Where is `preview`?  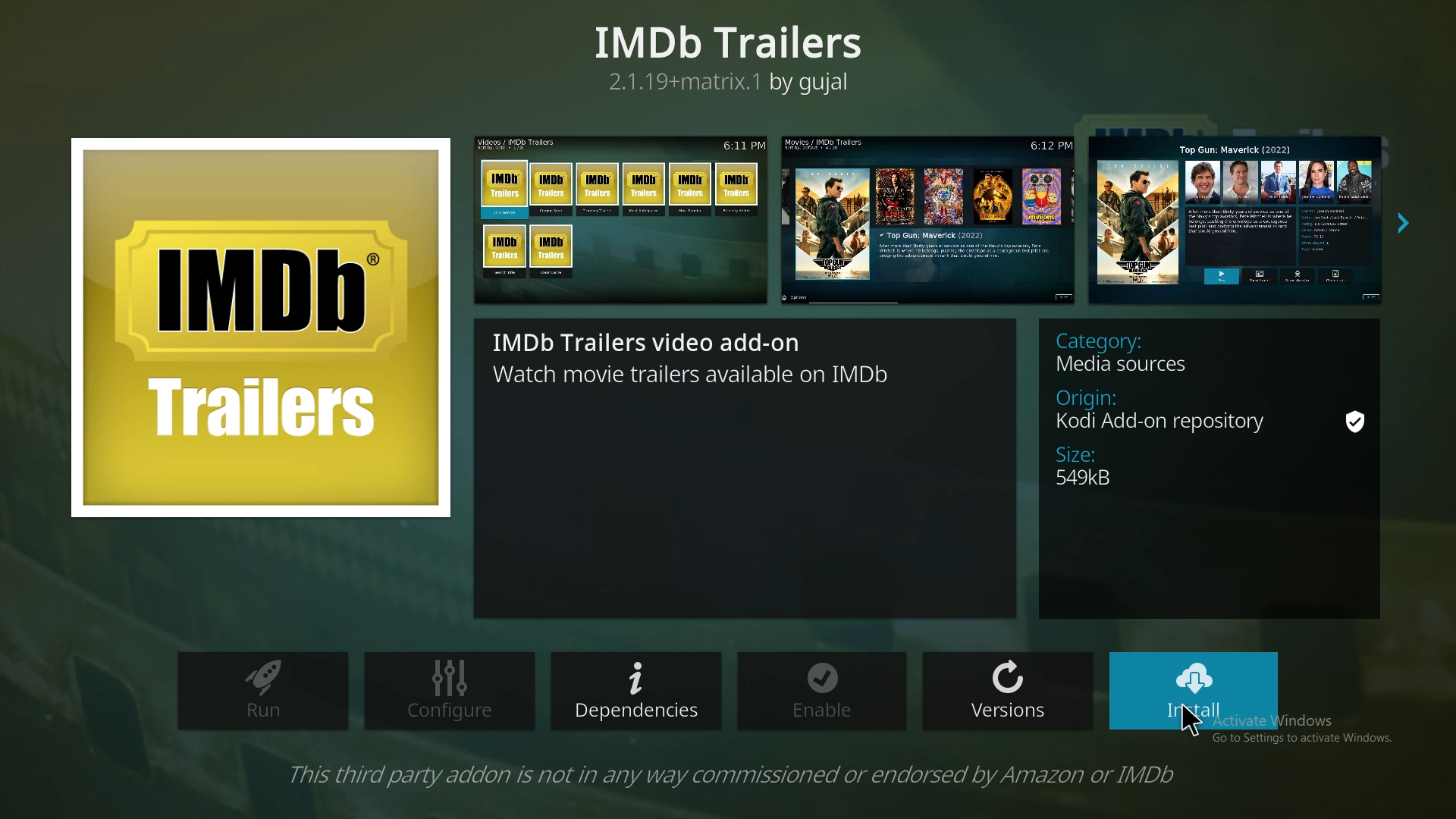
preview is located at coordinates (622, 218).